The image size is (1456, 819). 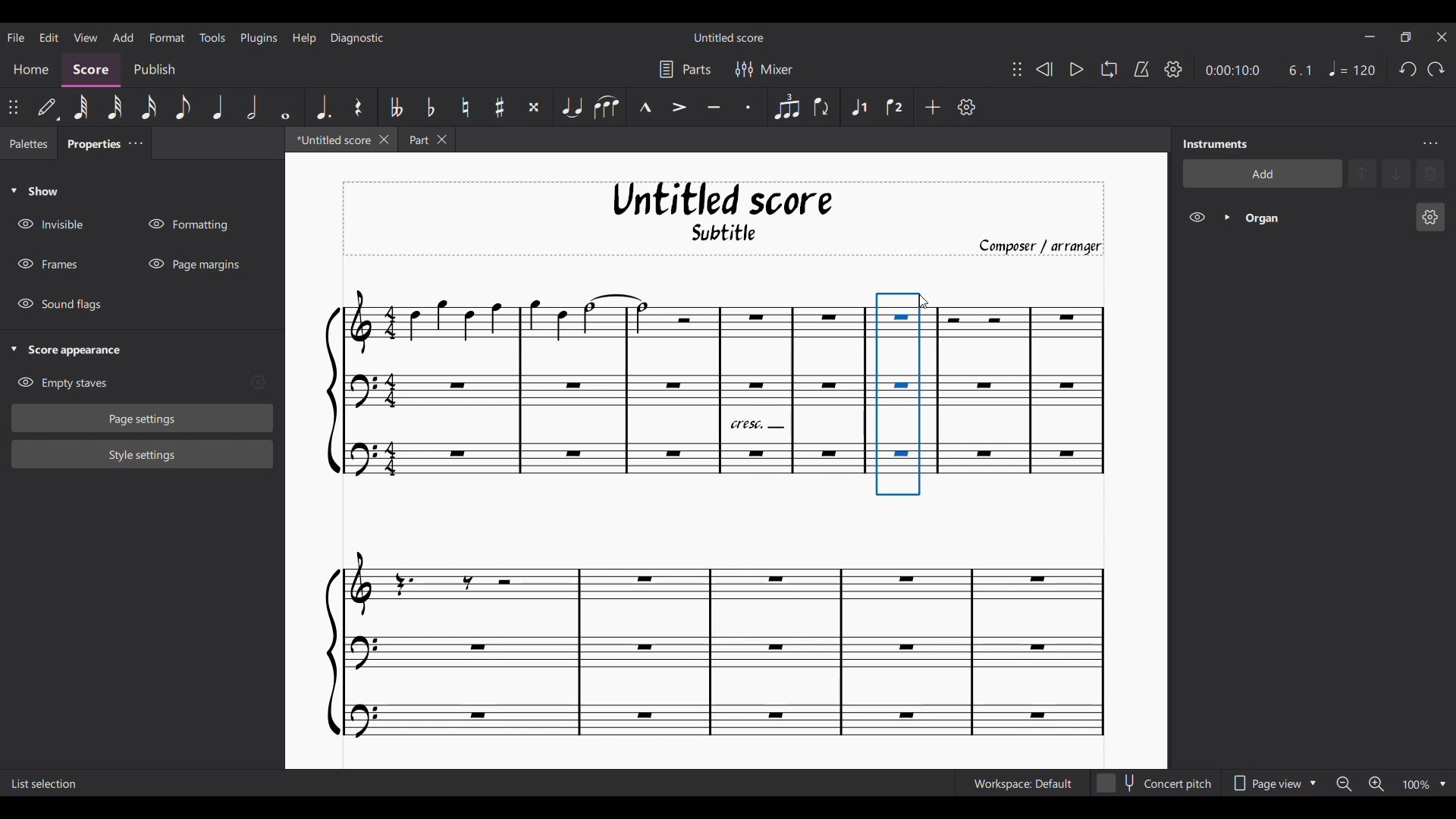 I want to click on Parts settings, so click(x=684, y=69).